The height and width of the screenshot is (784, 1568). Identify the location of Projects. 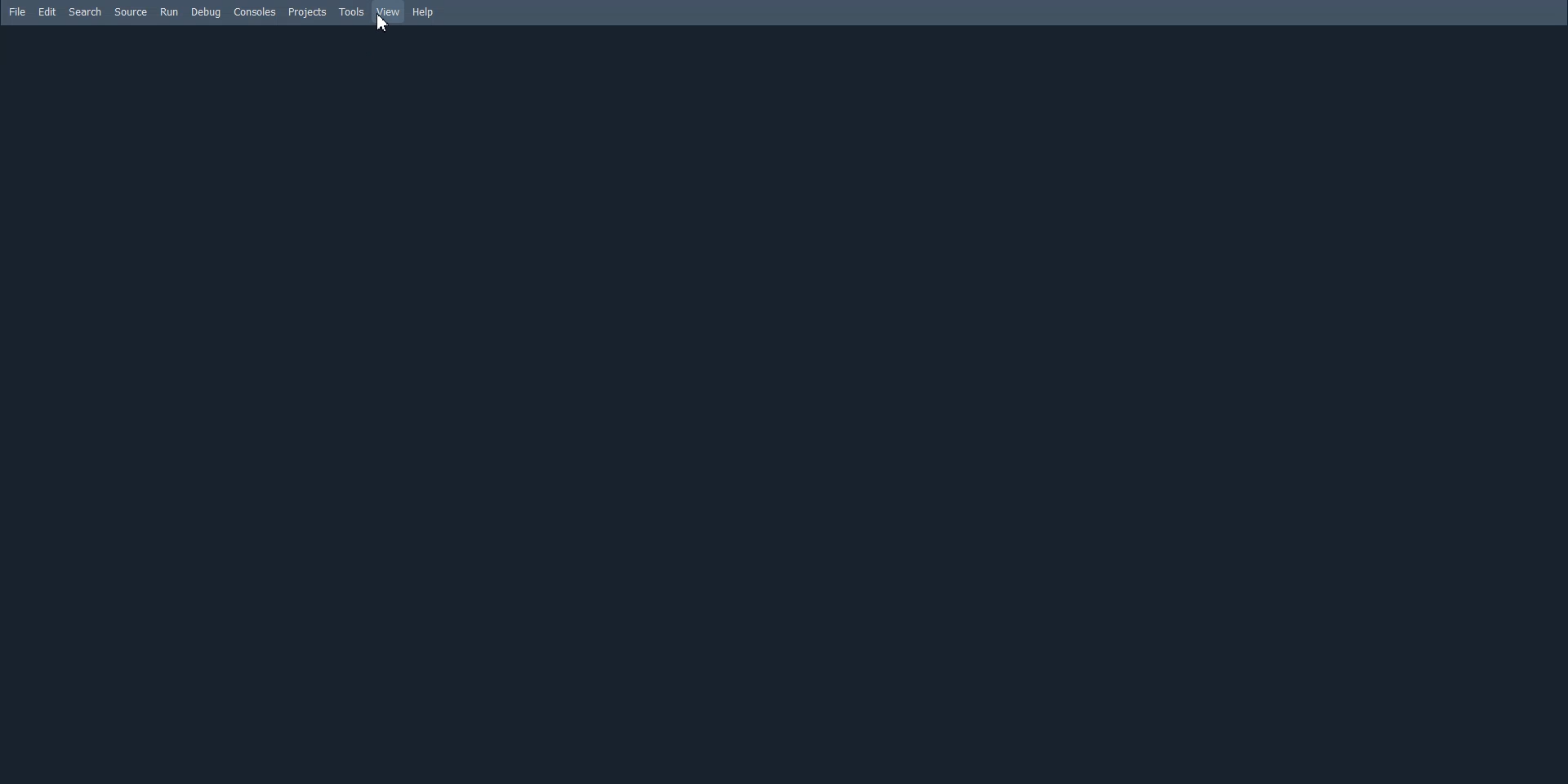
(308, 13).